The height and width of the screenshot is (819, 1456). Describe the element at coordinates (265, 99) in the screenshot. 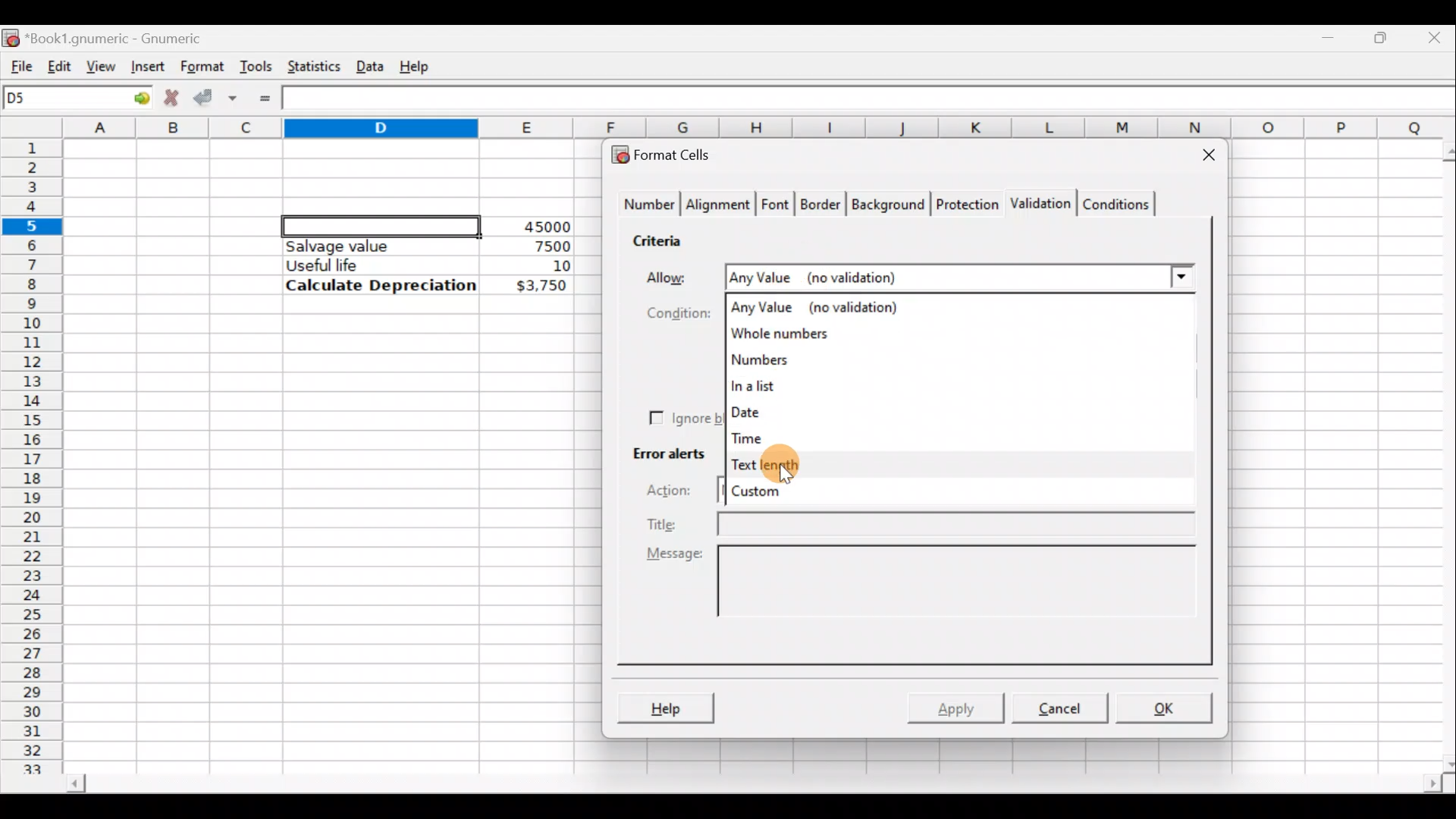

I see `Enter formula` at that location.